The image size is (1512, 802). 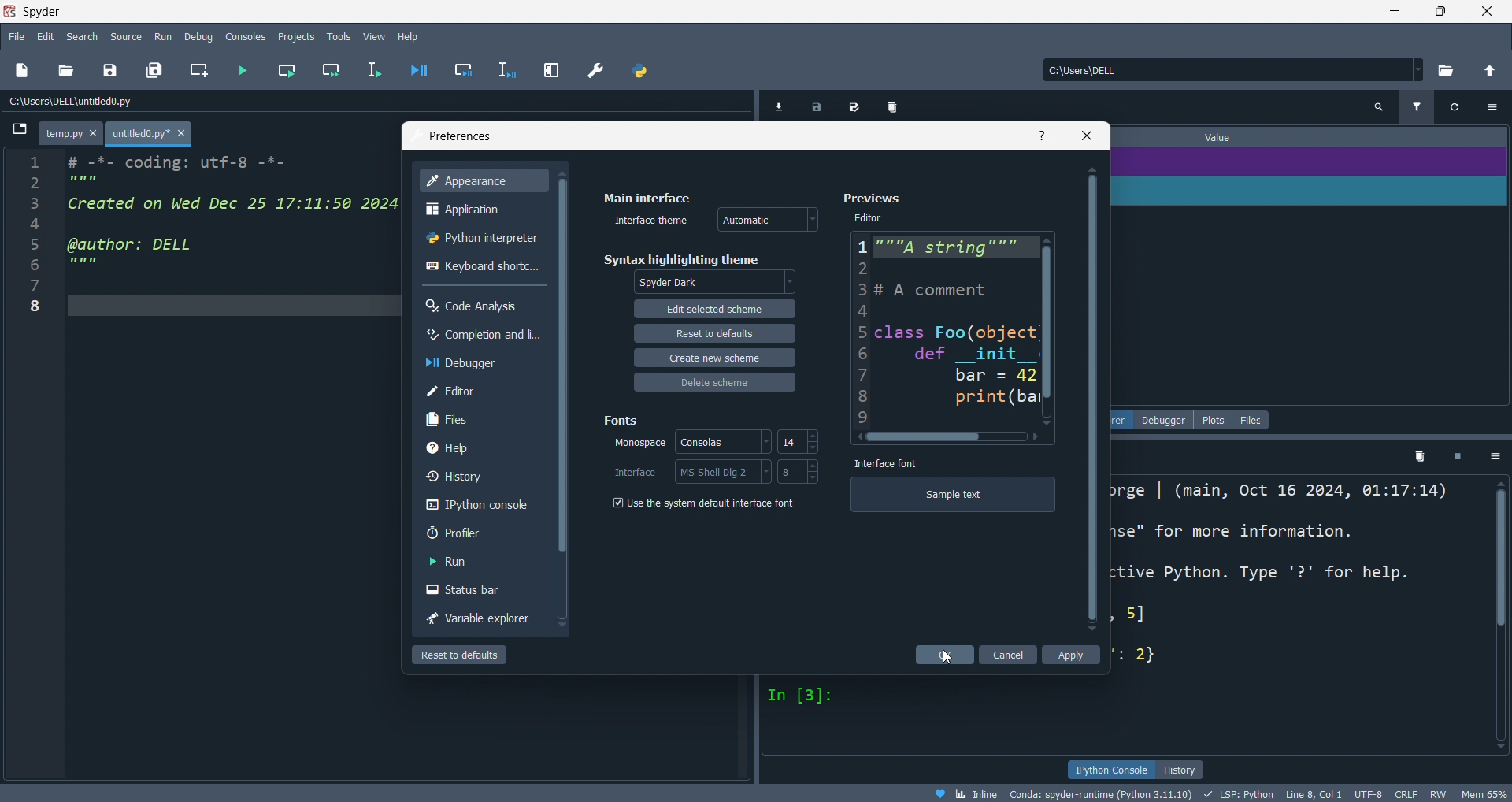 What do you see at coordinates (1458, 110) in the screenshot?
I see `refresh` at bounding box center [1458, 110].